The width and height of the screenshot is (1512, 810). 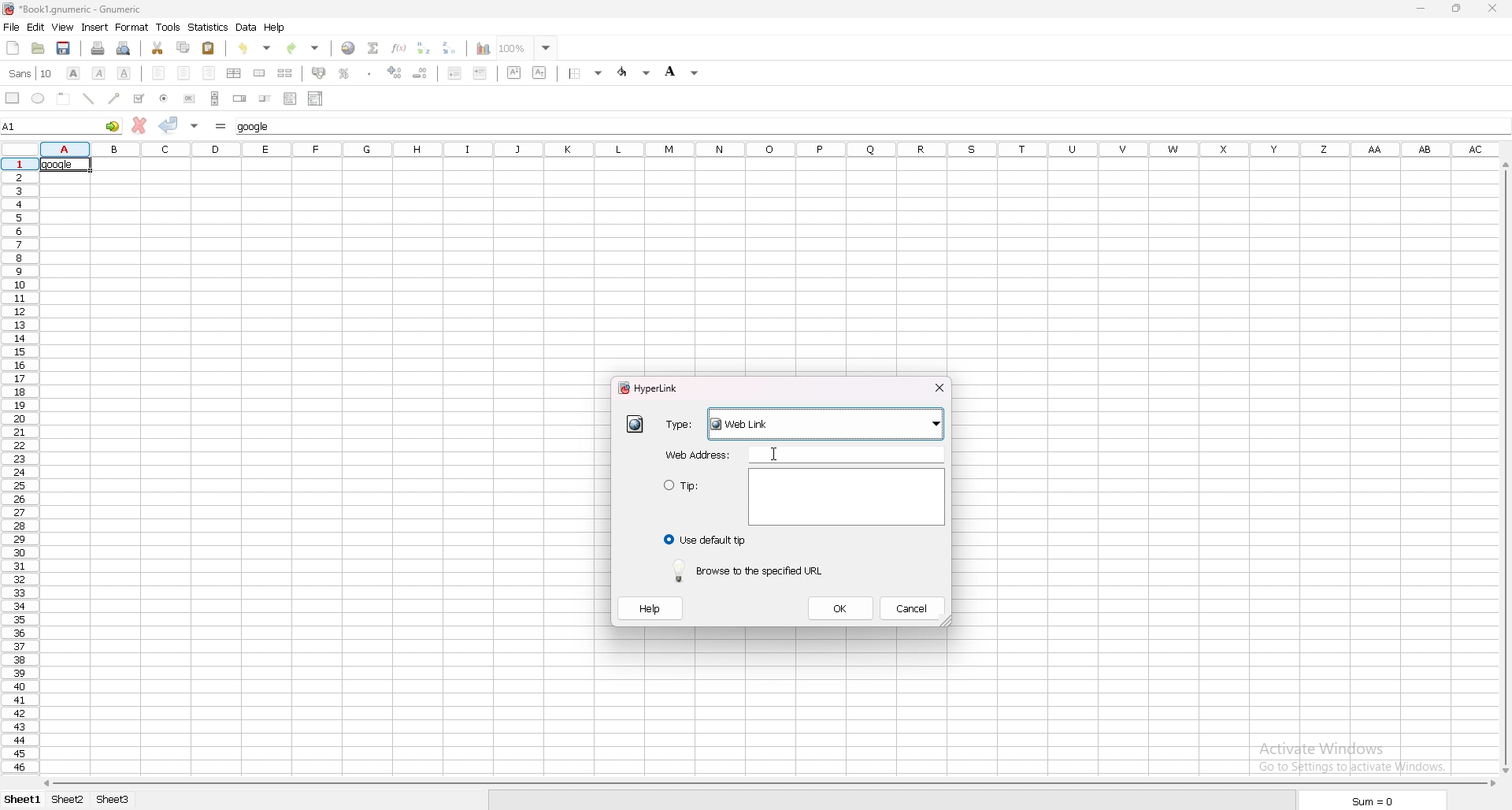 I want to click on list, so click(x=290, y=98).